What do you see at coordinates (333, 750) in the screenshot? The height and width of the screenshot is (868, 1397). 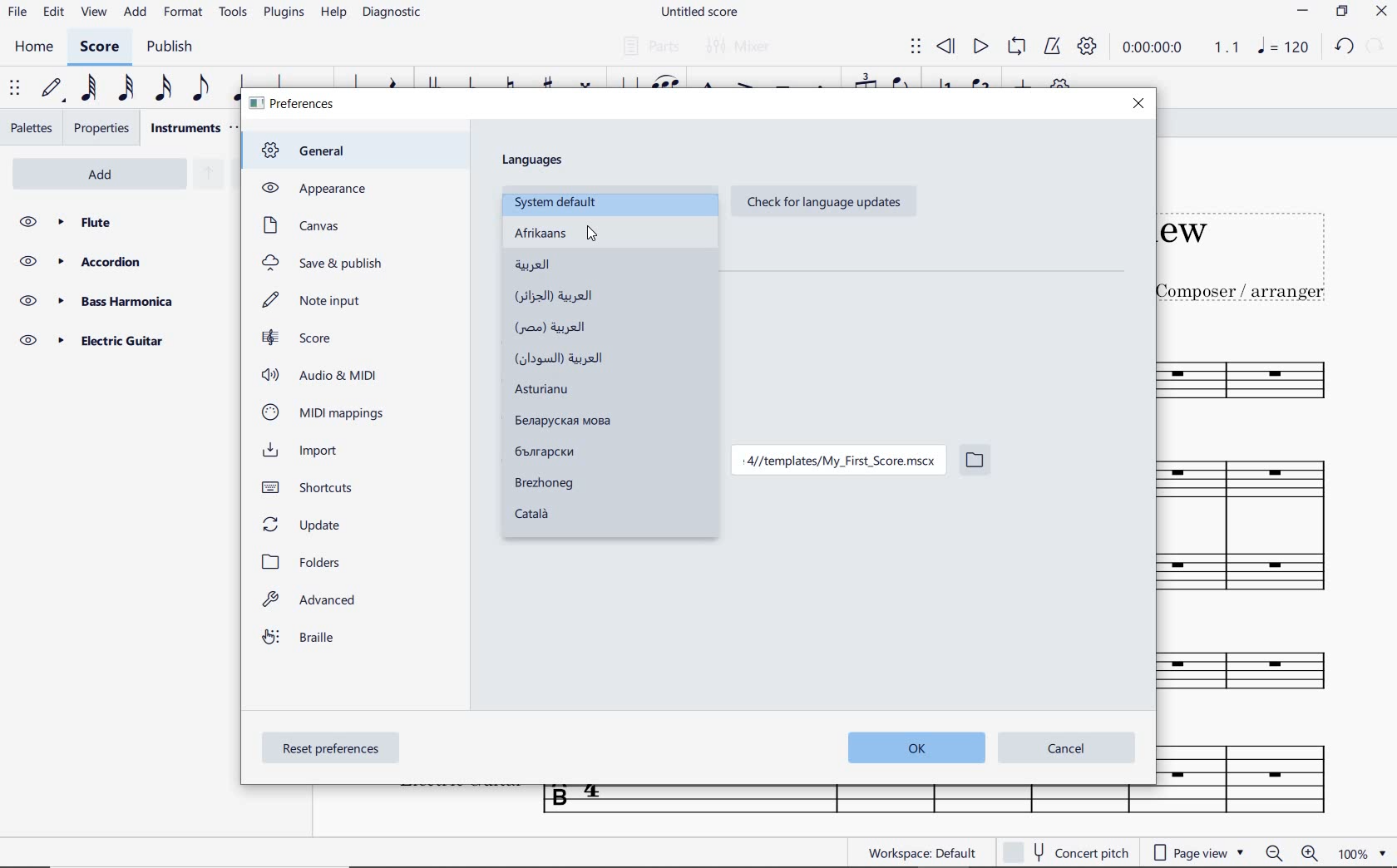 I see `reset preferences` at bounding box center [333, 750].